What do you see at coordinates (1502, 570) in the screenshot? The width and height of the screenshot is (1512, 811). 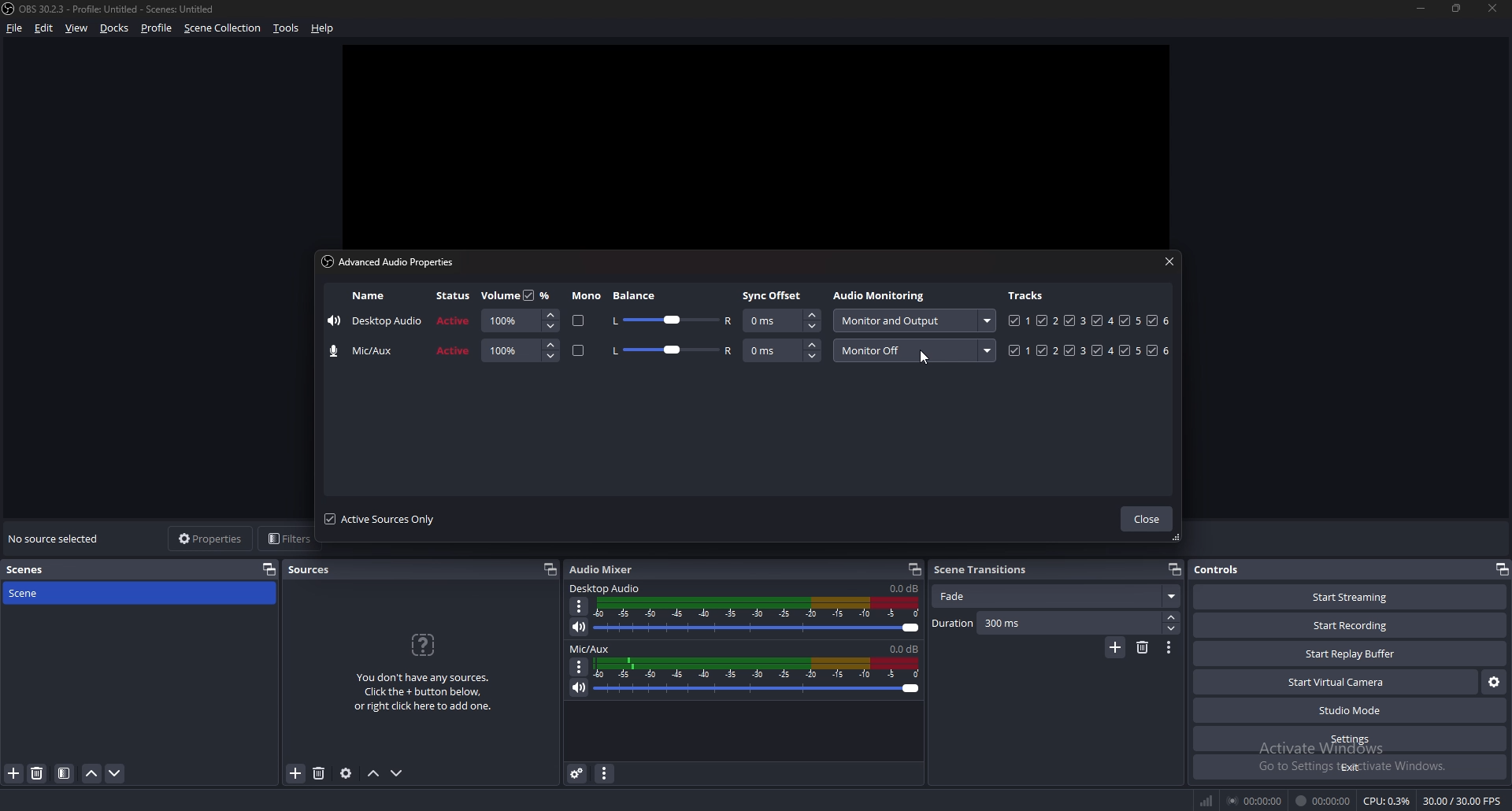 I see `pop out` at bounding box center [1502, 570].